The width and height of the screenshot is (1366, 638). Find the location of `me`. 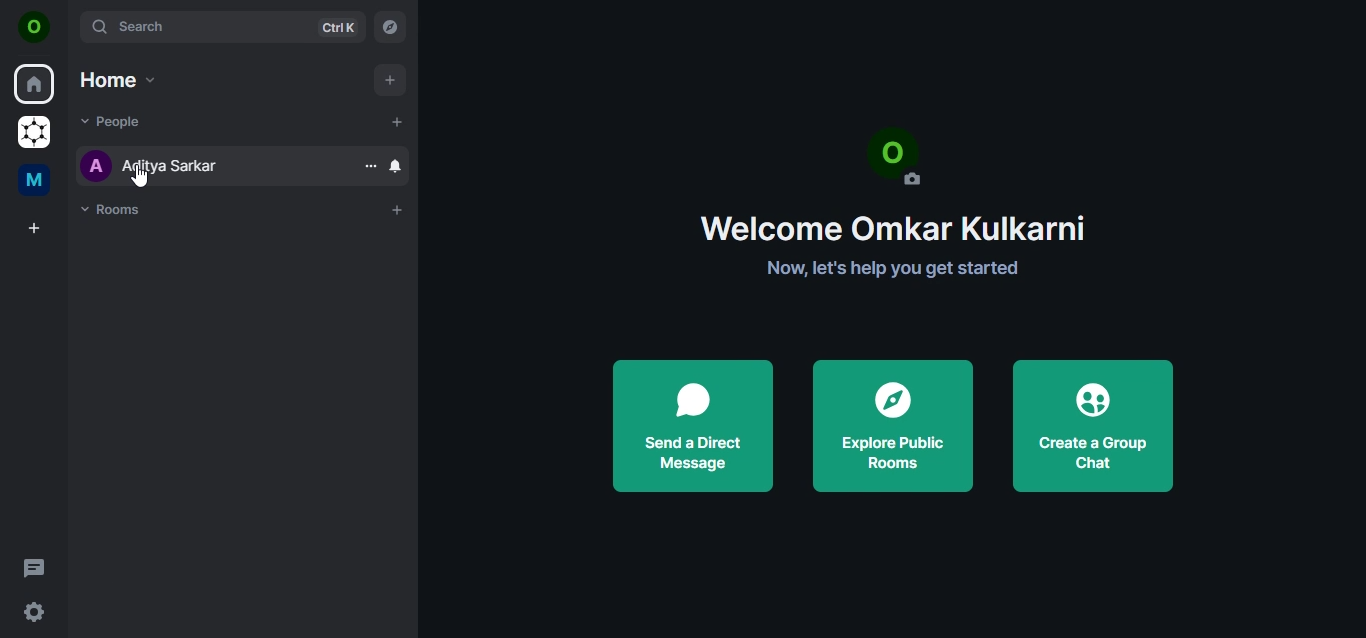

me is located at coordinates (37, 183).